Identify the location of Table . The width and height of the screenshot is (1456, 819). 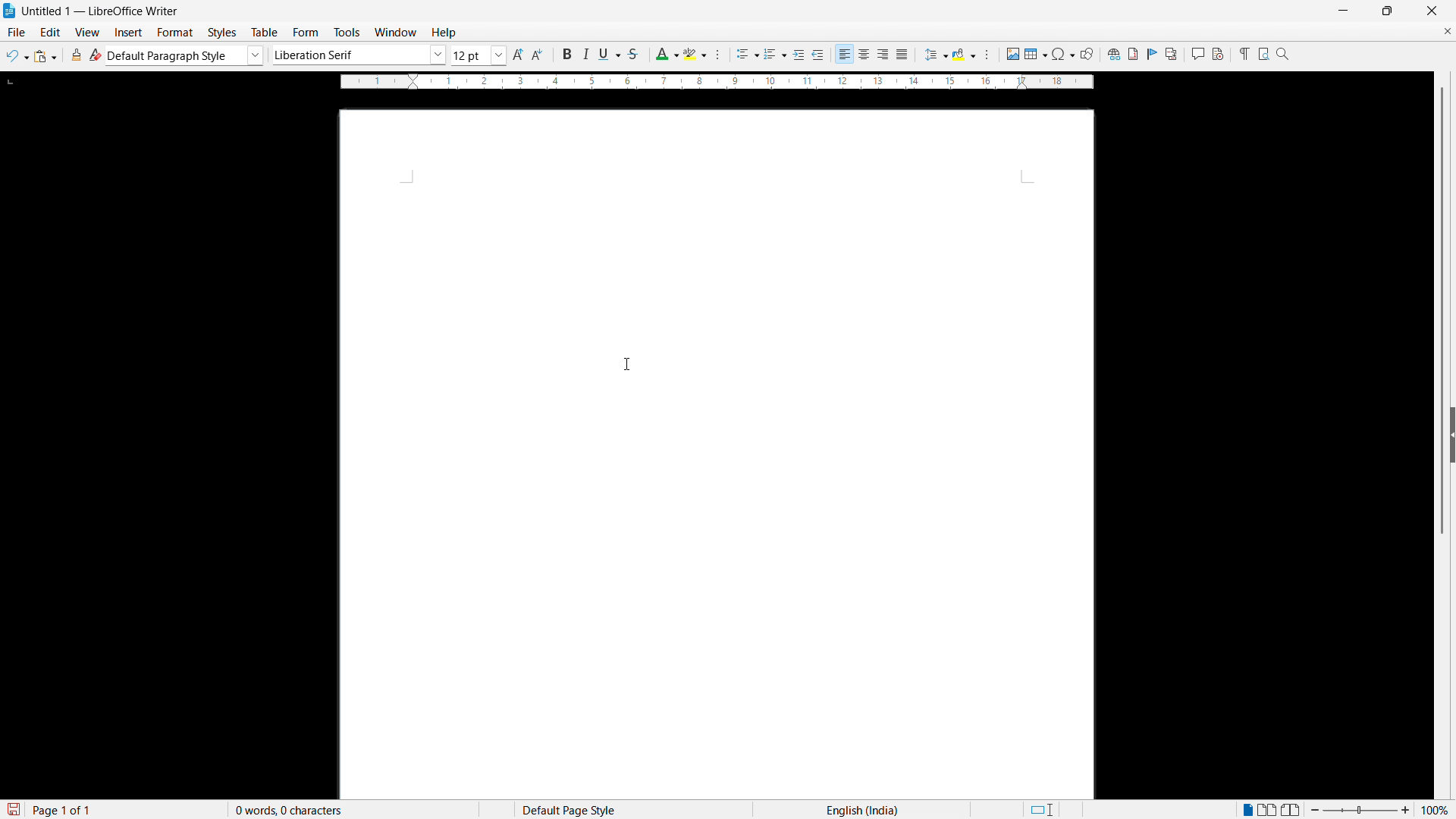
(266, 33).